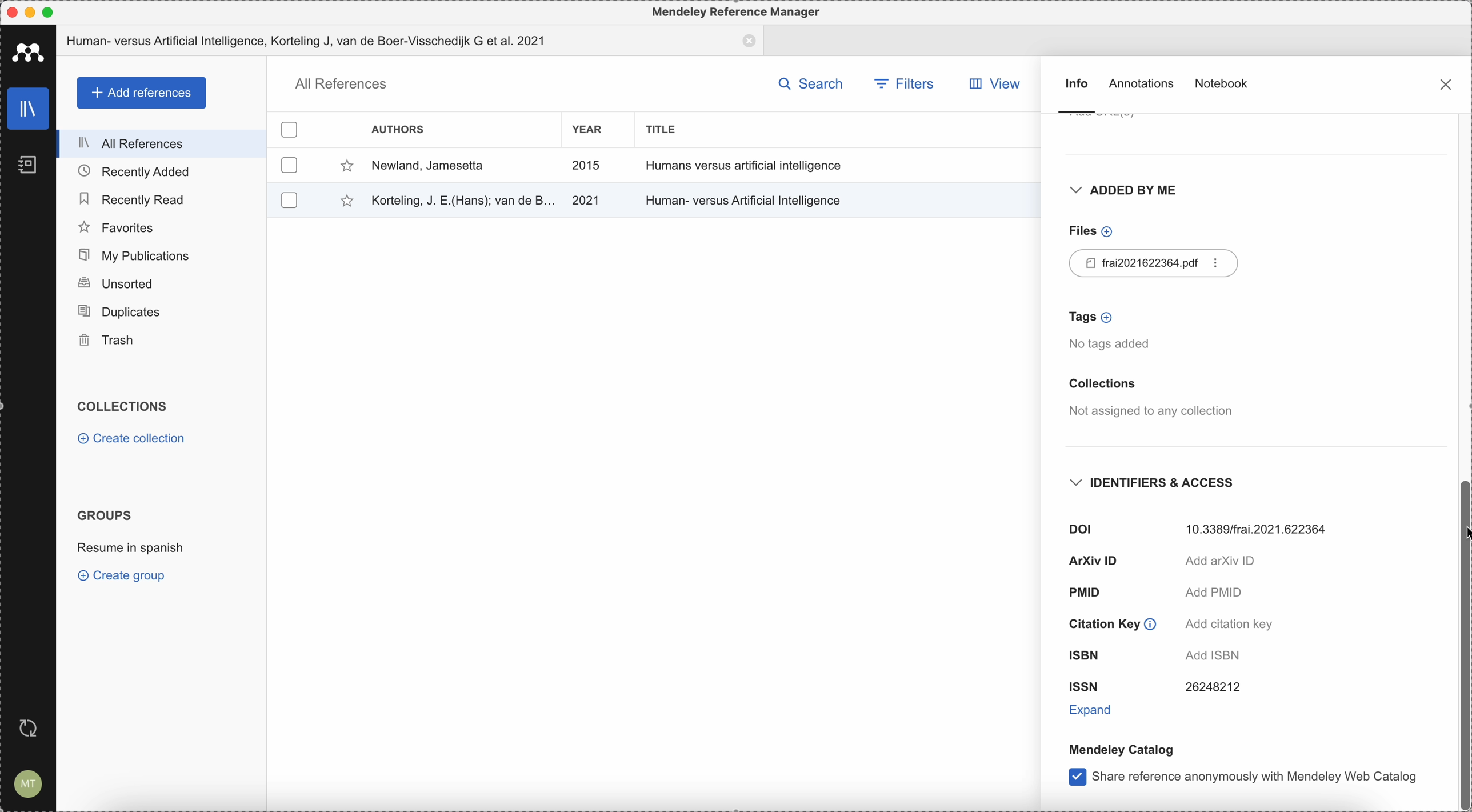 This screenshot has height=812, width=1472. I want to click on year, so click(587, 130).